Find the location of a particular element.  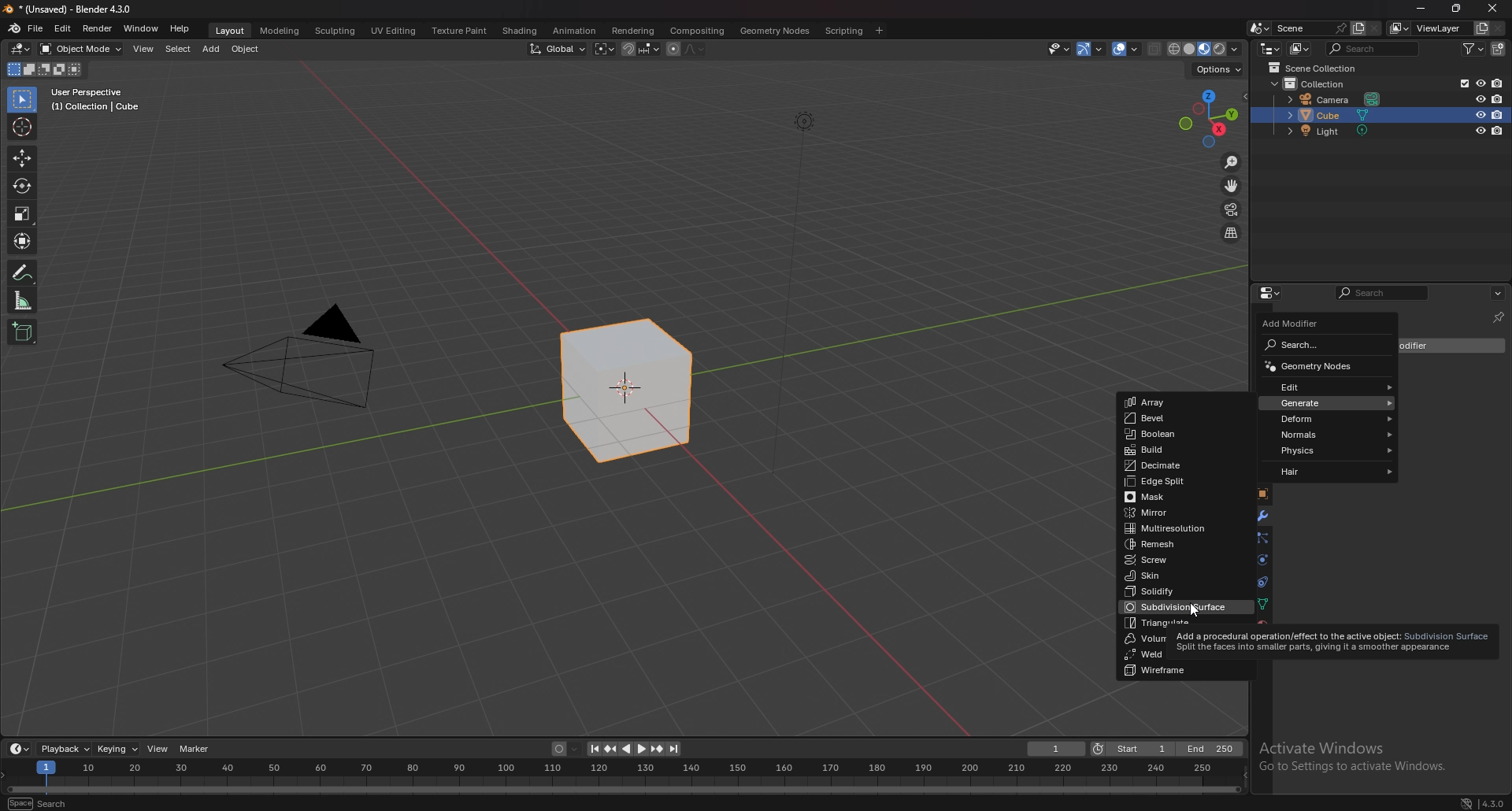

window is located at coordinates (142, 27).